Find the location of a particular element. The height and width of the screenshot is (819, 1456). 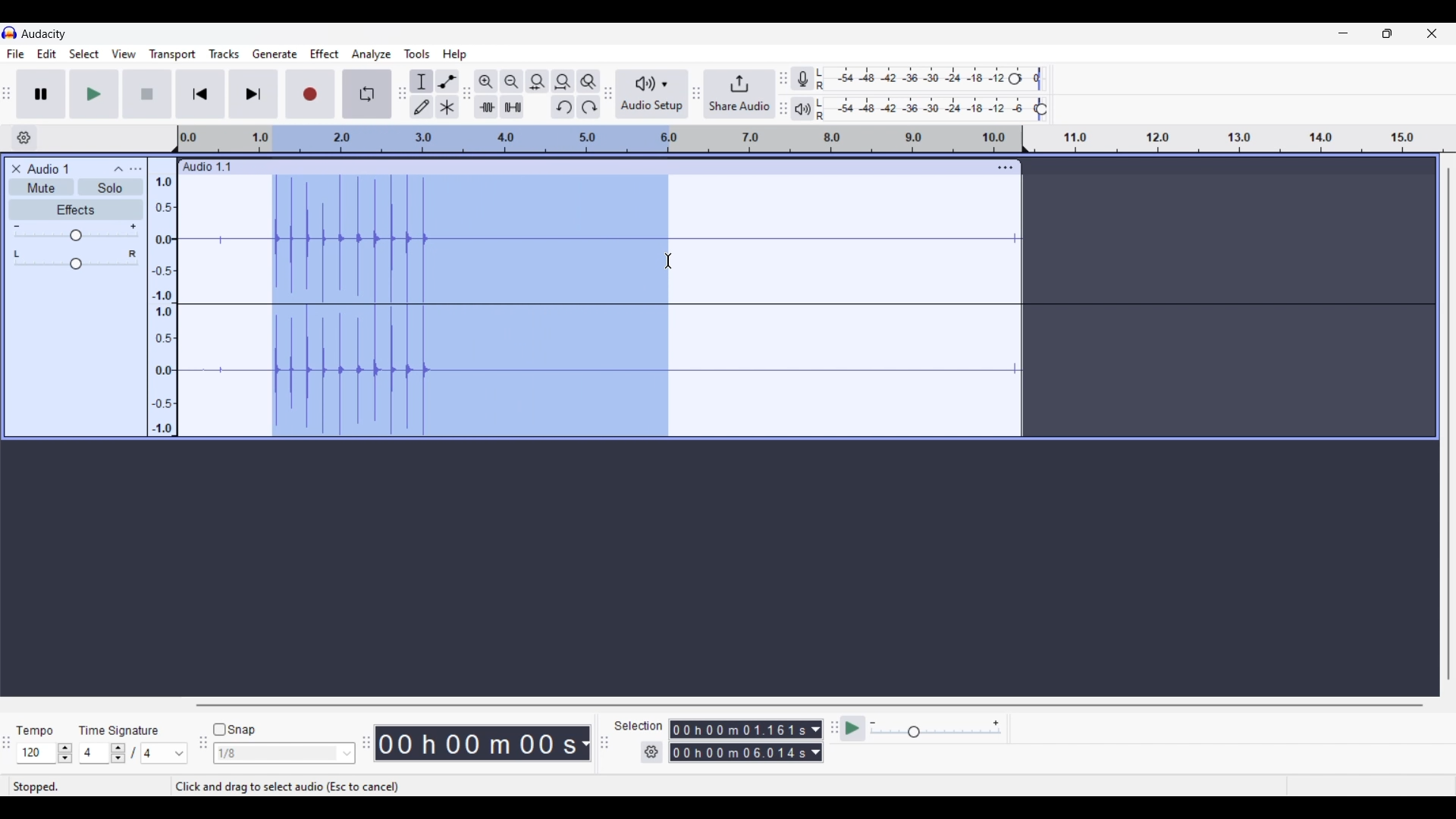

Instructions for current action is located at coordinates (287, 787).